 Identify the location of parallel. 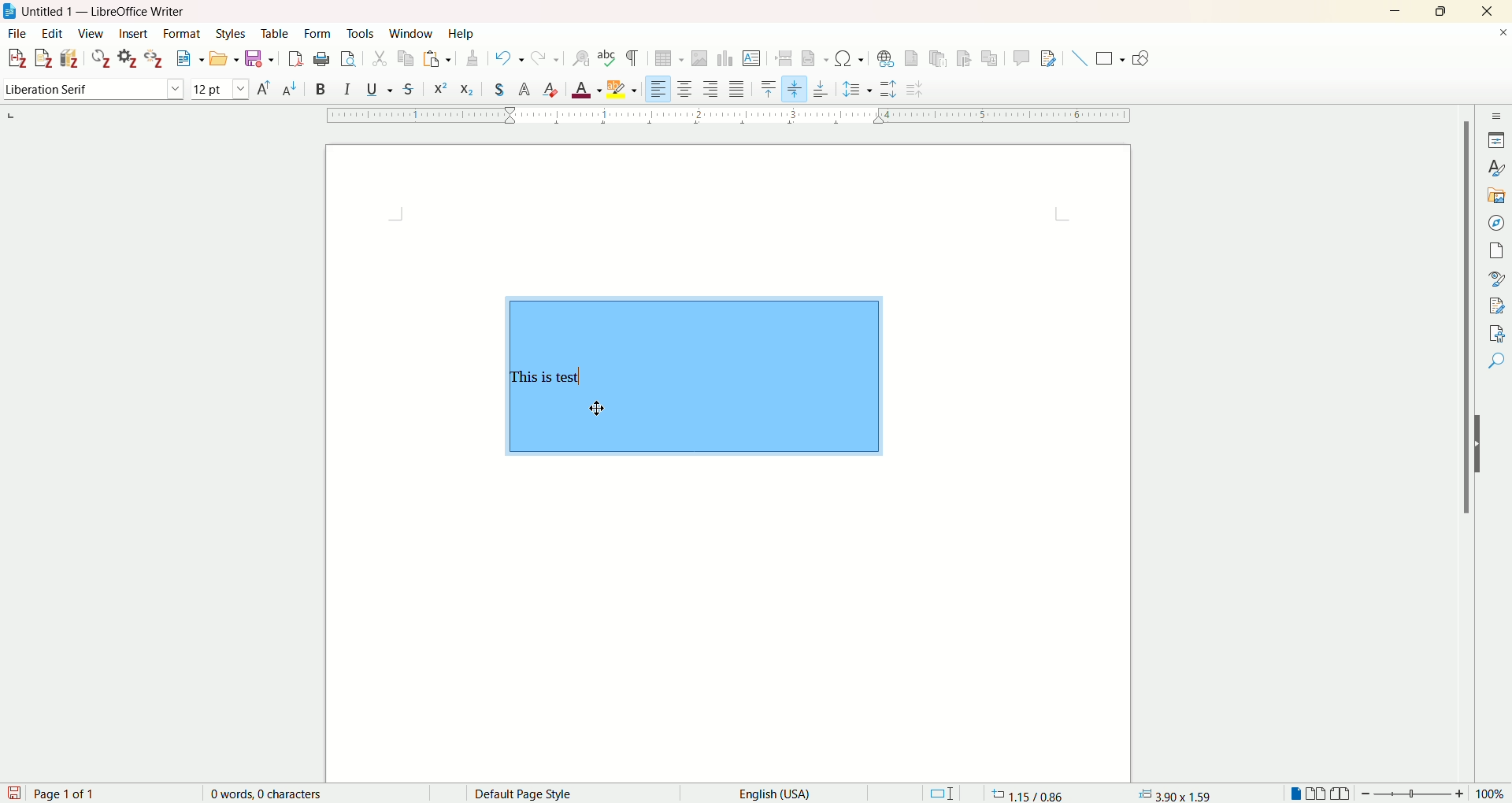
(83, 91).